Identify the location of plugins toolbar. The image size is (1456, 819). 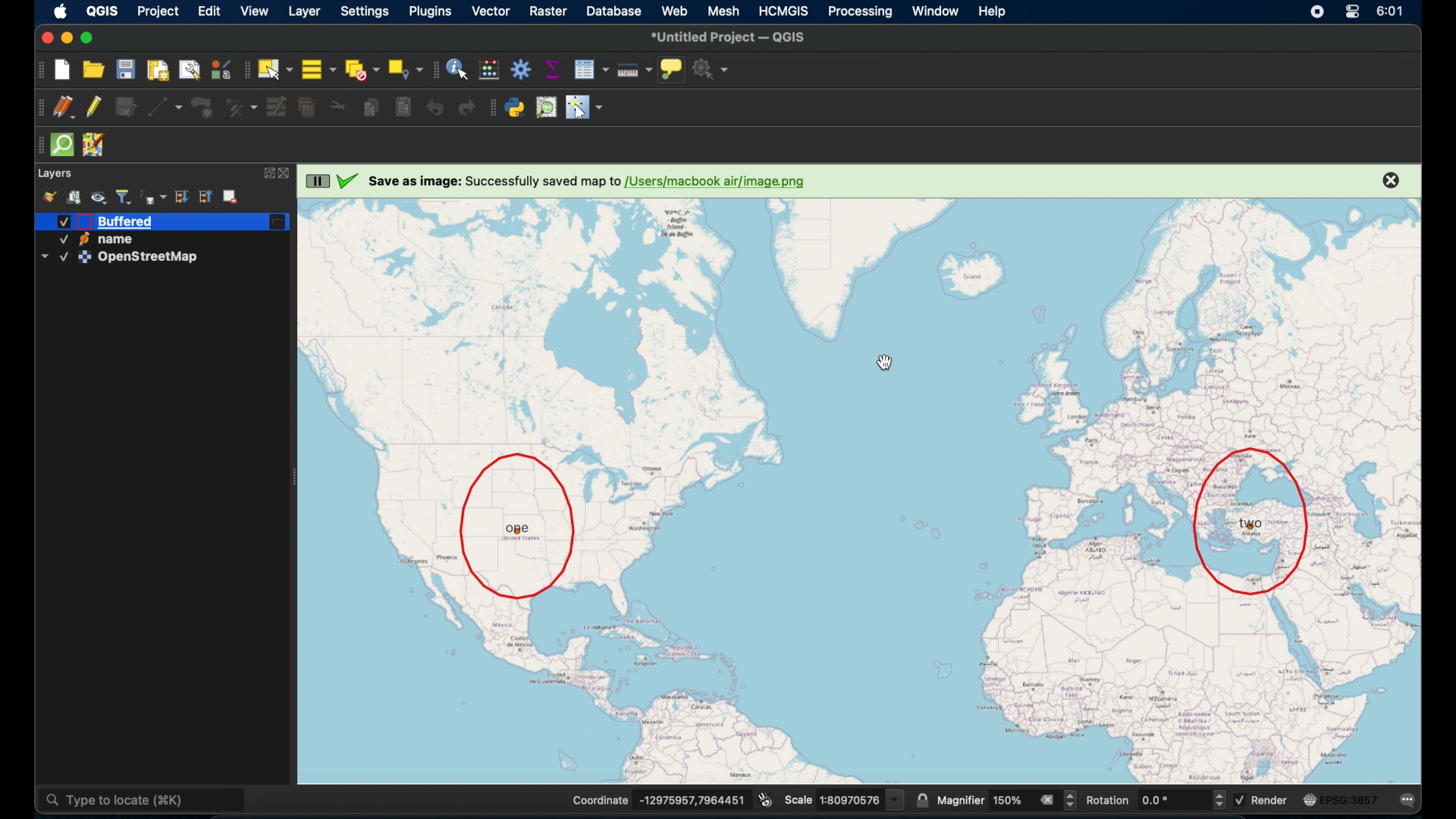
(491, 108).